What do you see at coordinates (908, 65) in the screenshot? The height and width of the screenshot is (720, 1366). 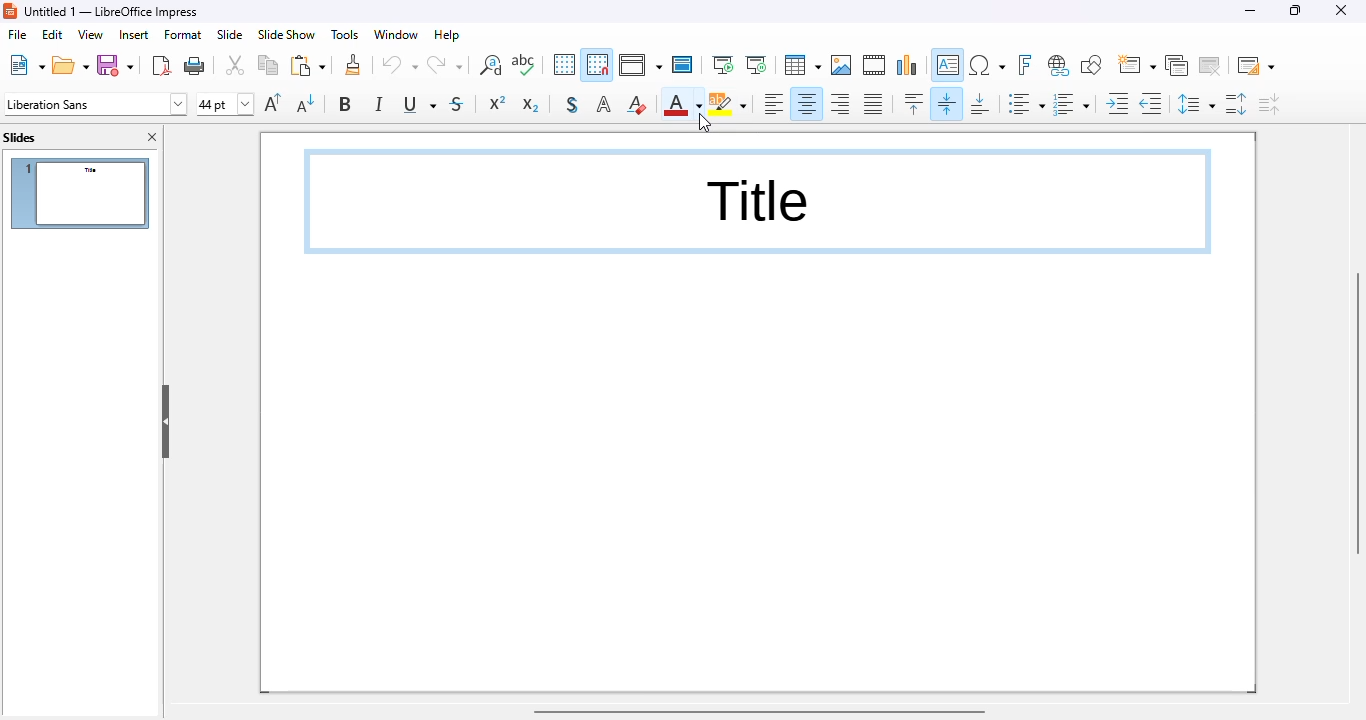 I see `insert chart` at bounding box center [908, 65].